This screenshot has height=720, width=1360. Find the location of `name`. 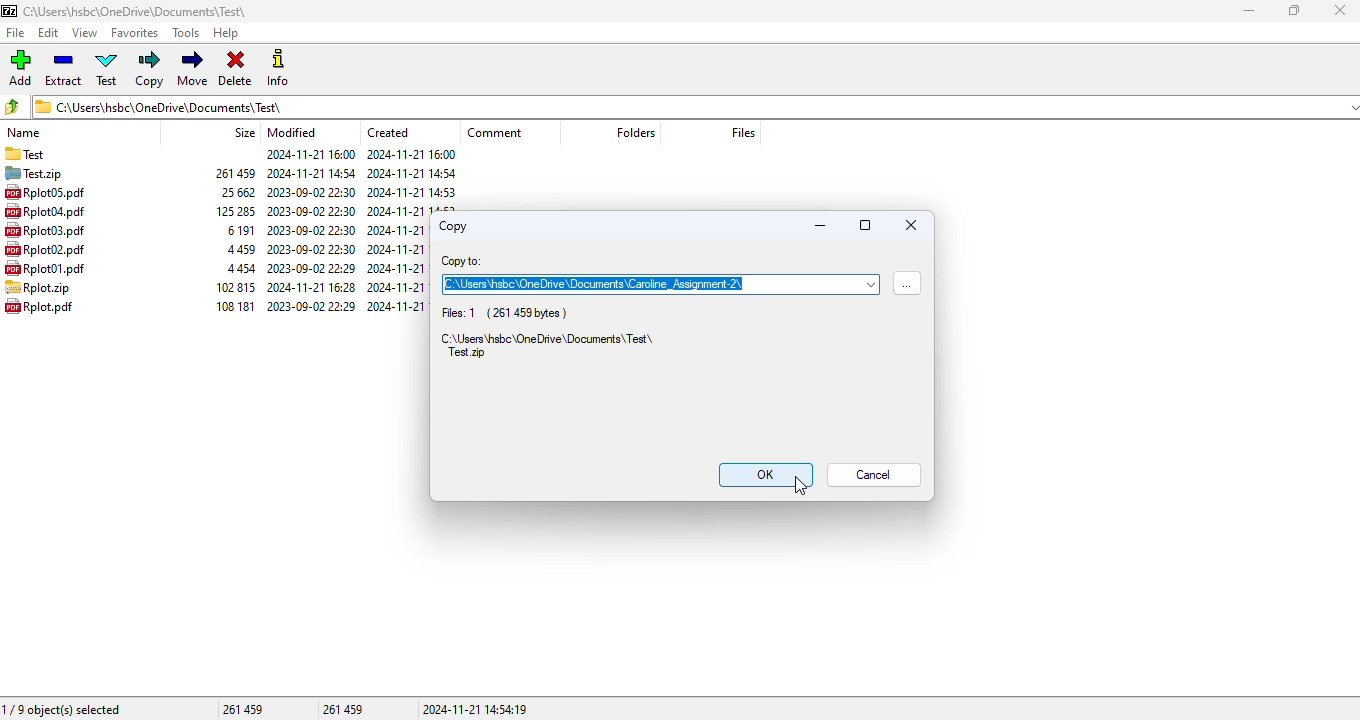

name is located at coordinates (25, 132).